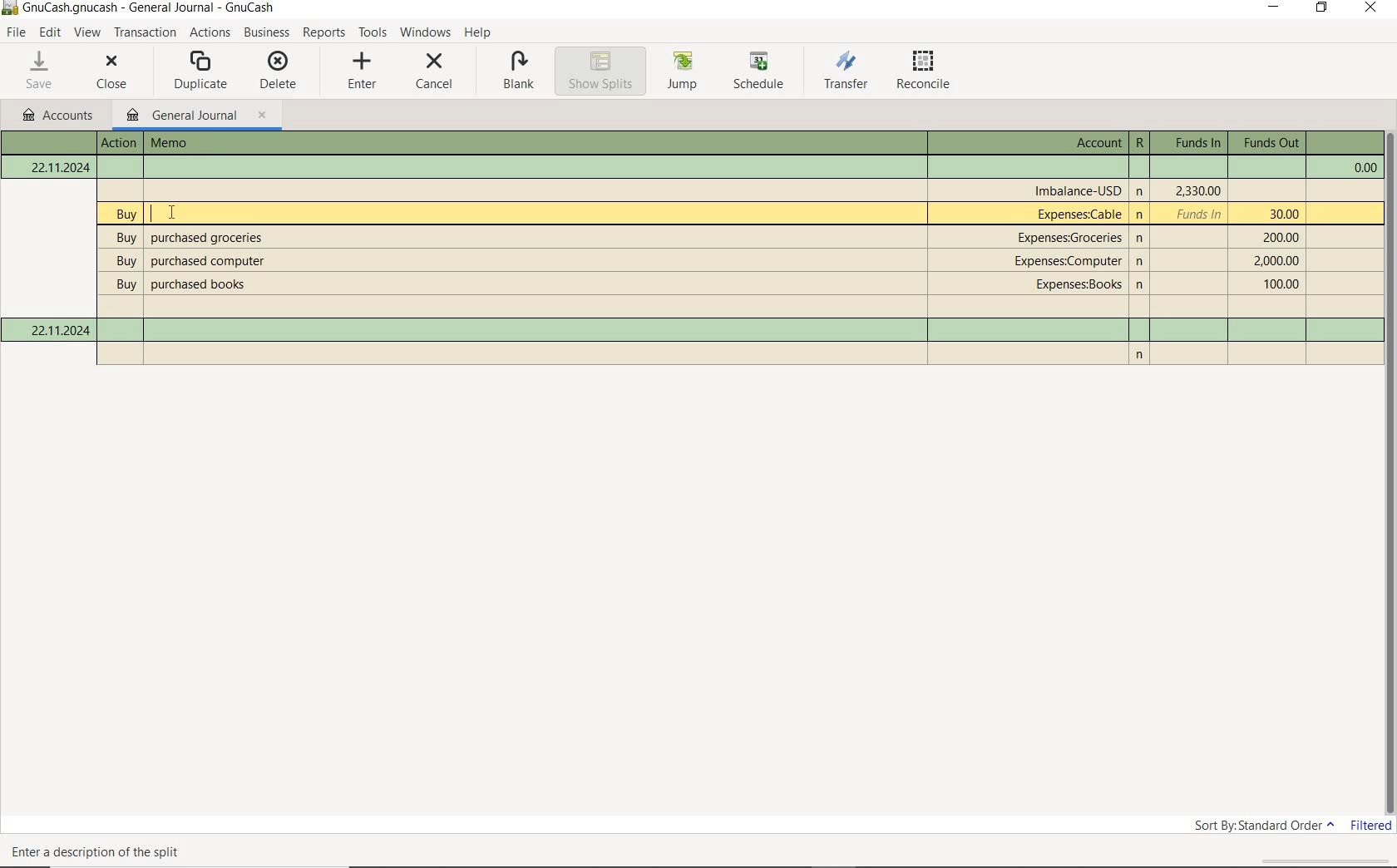 The image size is (1397, 868). Describe the element at coordinates (325, 32) in the screenshot. I see `REPORTS` at that location.